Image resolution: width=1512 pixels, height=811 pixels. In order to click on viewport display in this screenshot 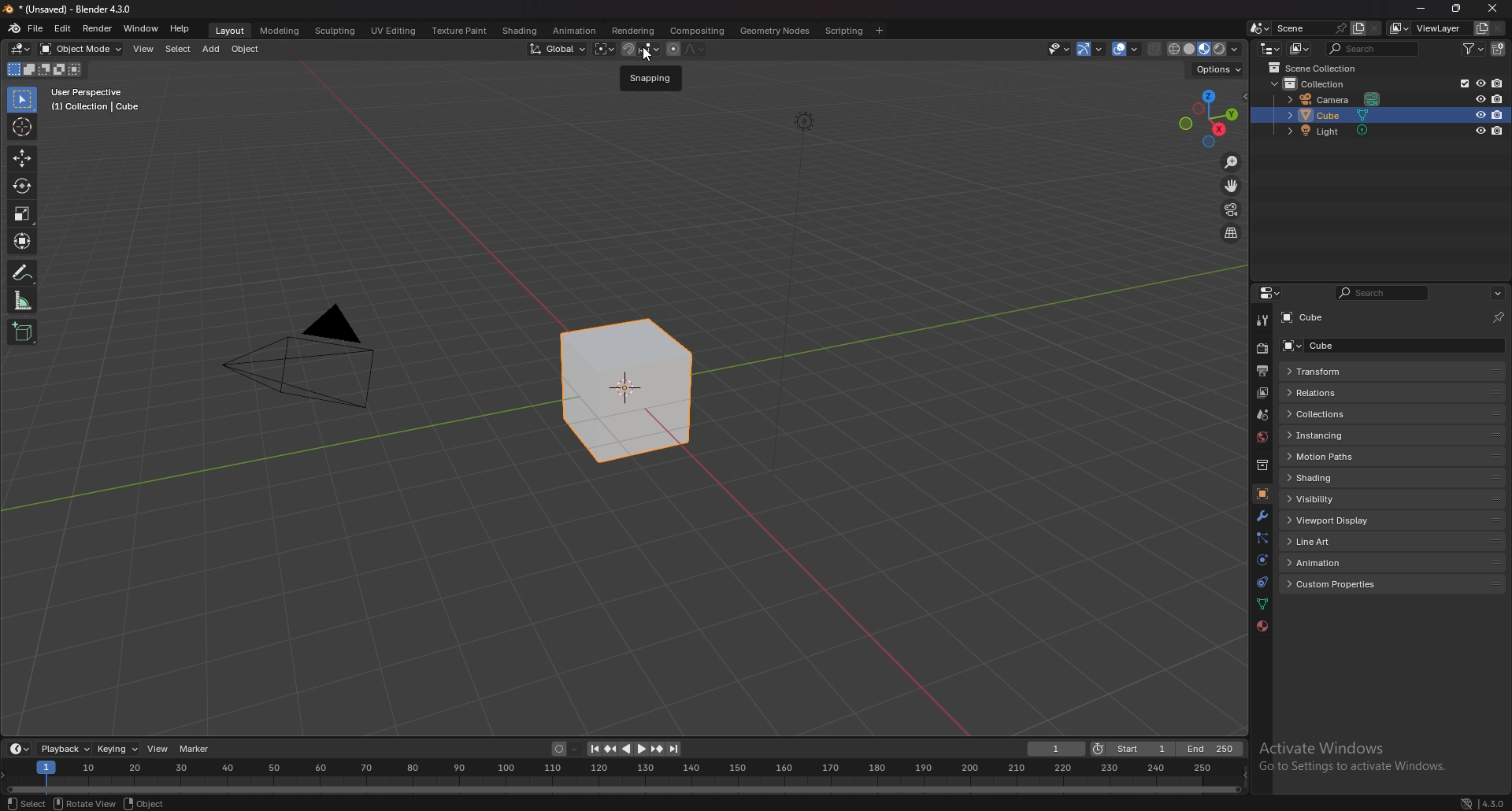, I will do `click(1335, 520)`.